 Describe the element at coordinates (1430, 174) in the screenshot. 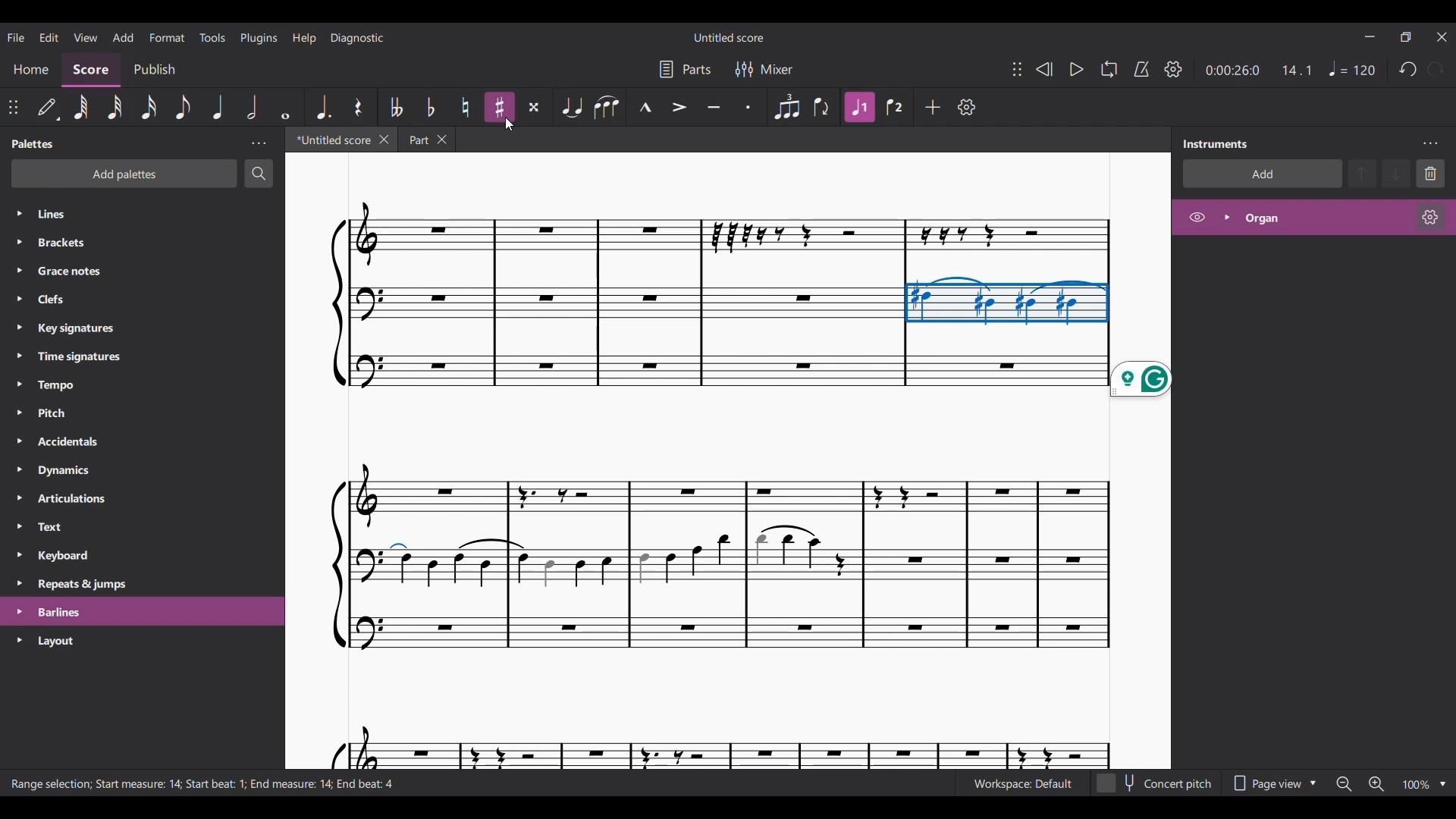

I see `Delete` at that location.